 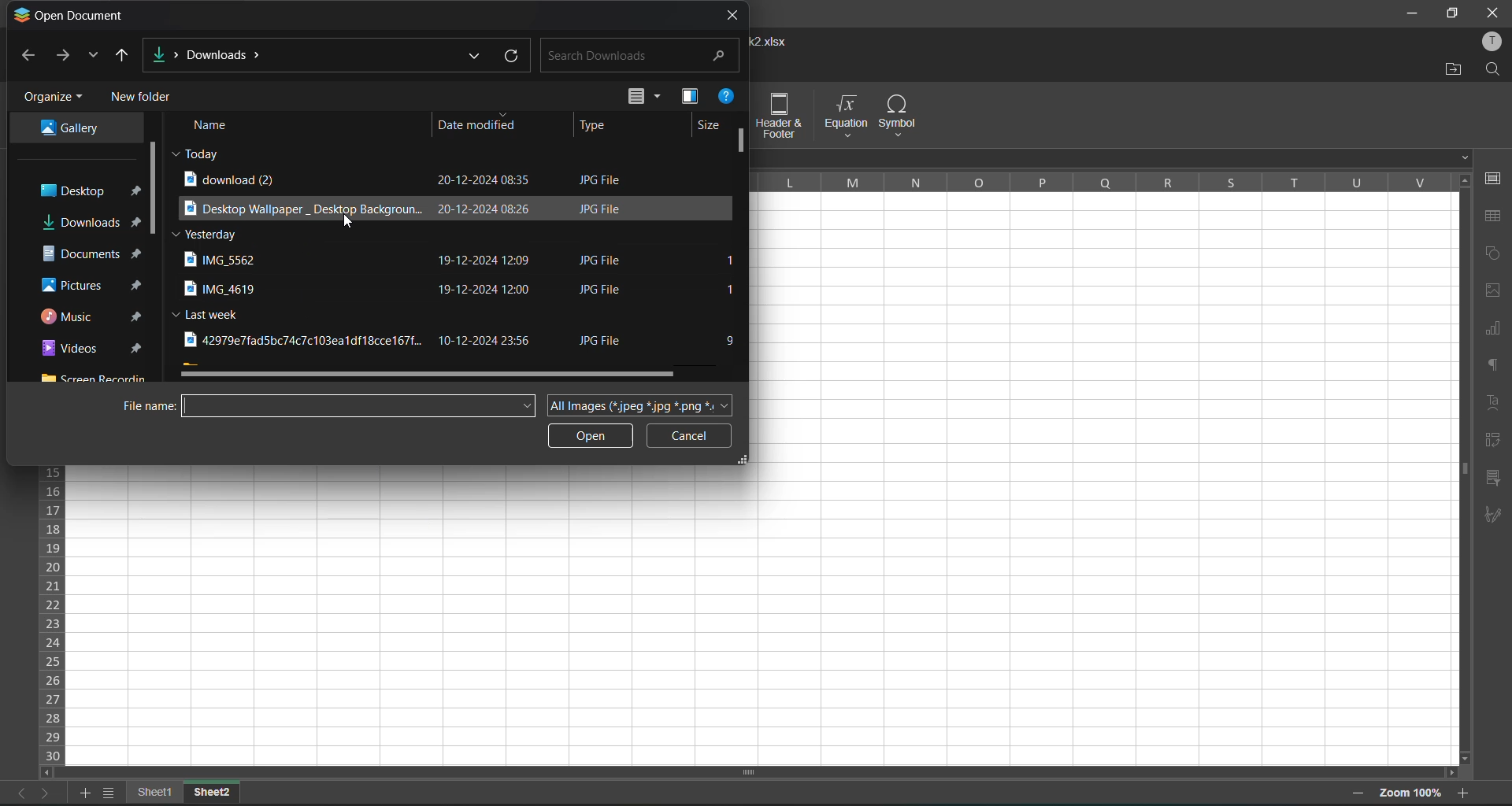 I want to click on vertical scroll bar, so click(x=1462, y=371).